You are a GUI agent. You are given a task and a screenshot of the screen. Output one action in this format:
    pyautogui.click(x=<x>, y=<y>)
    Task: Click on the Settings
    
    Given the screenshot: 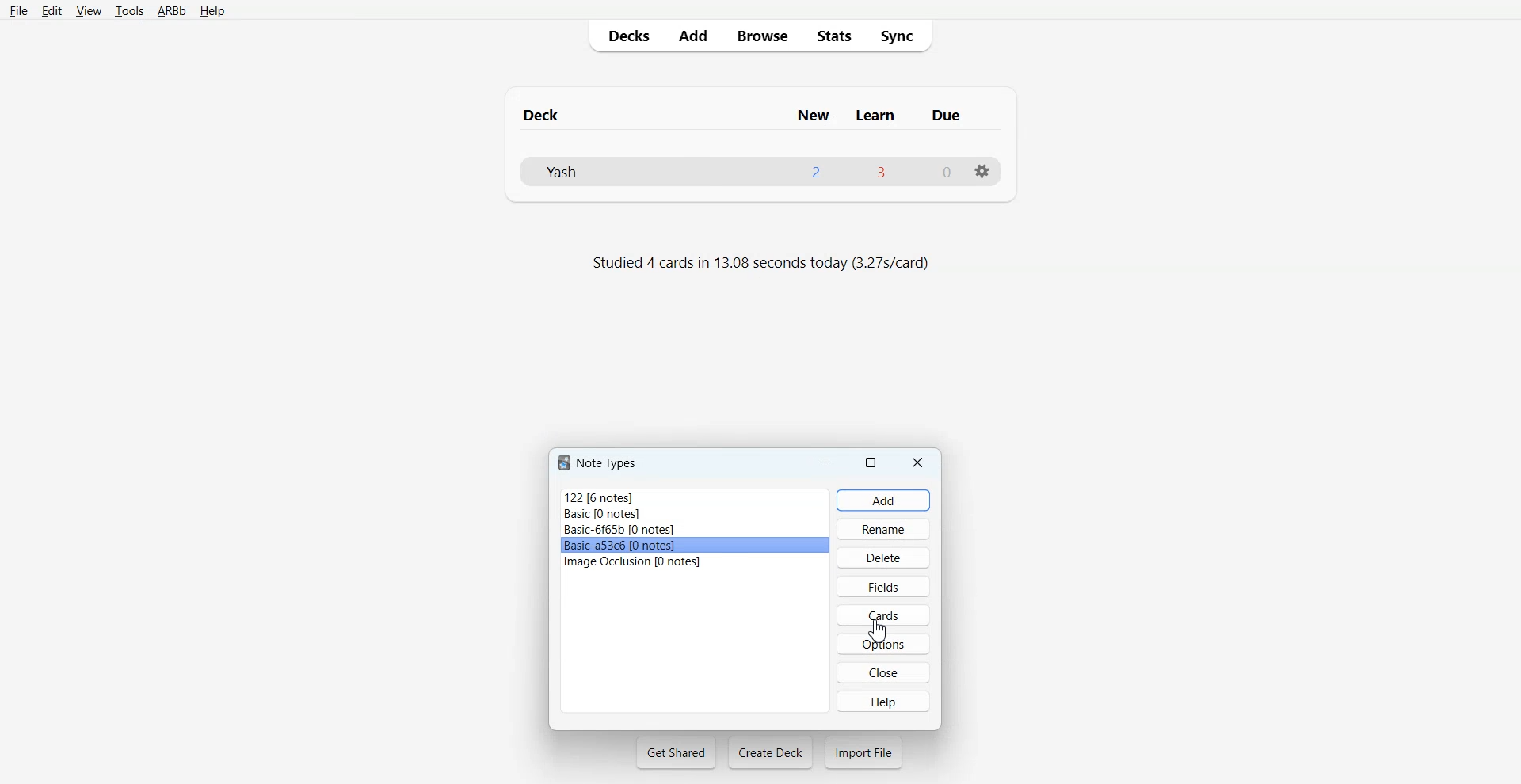 What is the action you would take?
    pyautogui.click(x=982, y=171)
    